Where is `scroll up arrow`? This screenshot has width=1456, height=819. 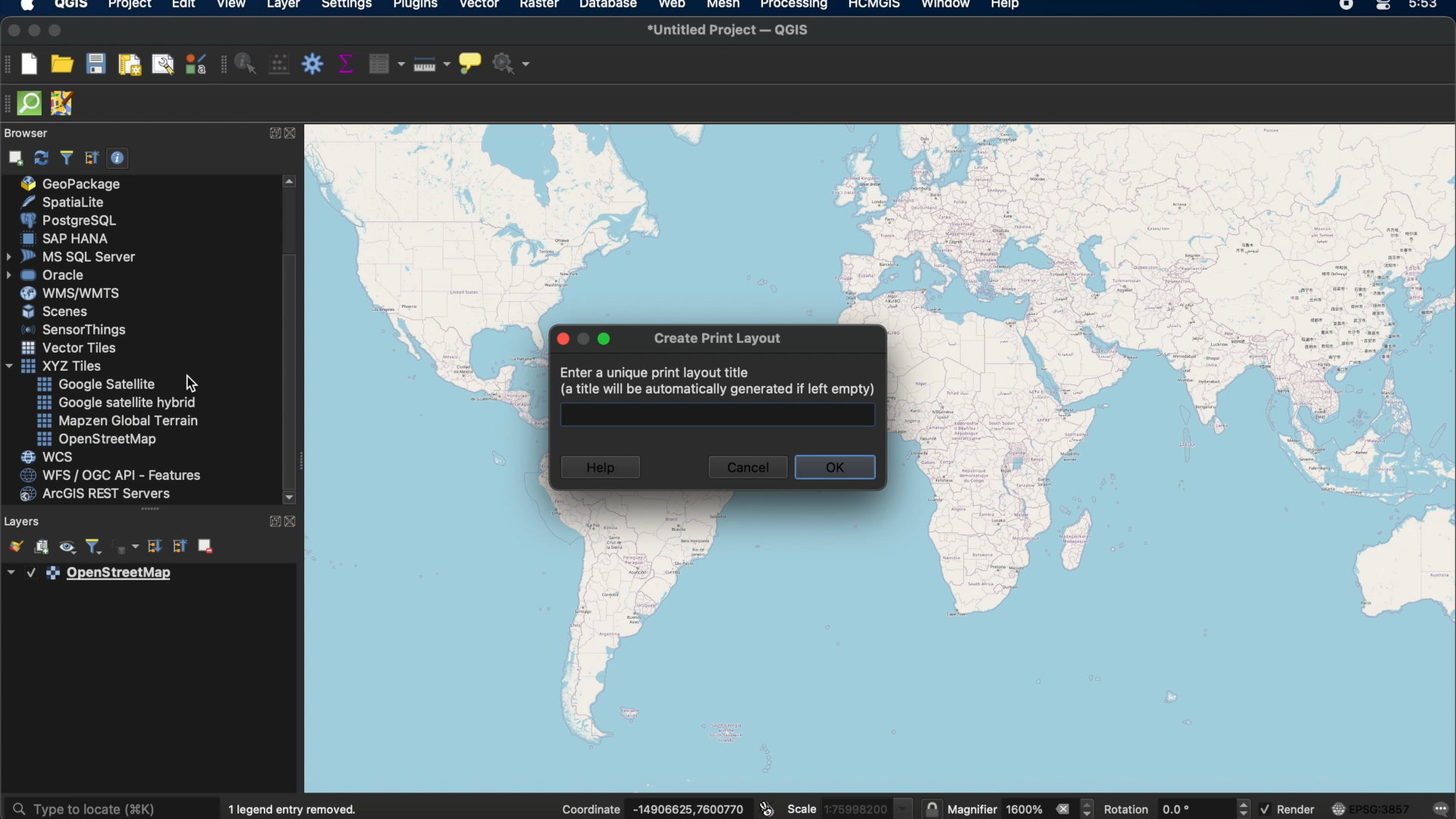 scroll up arrow is located at coordinates (290, 180).